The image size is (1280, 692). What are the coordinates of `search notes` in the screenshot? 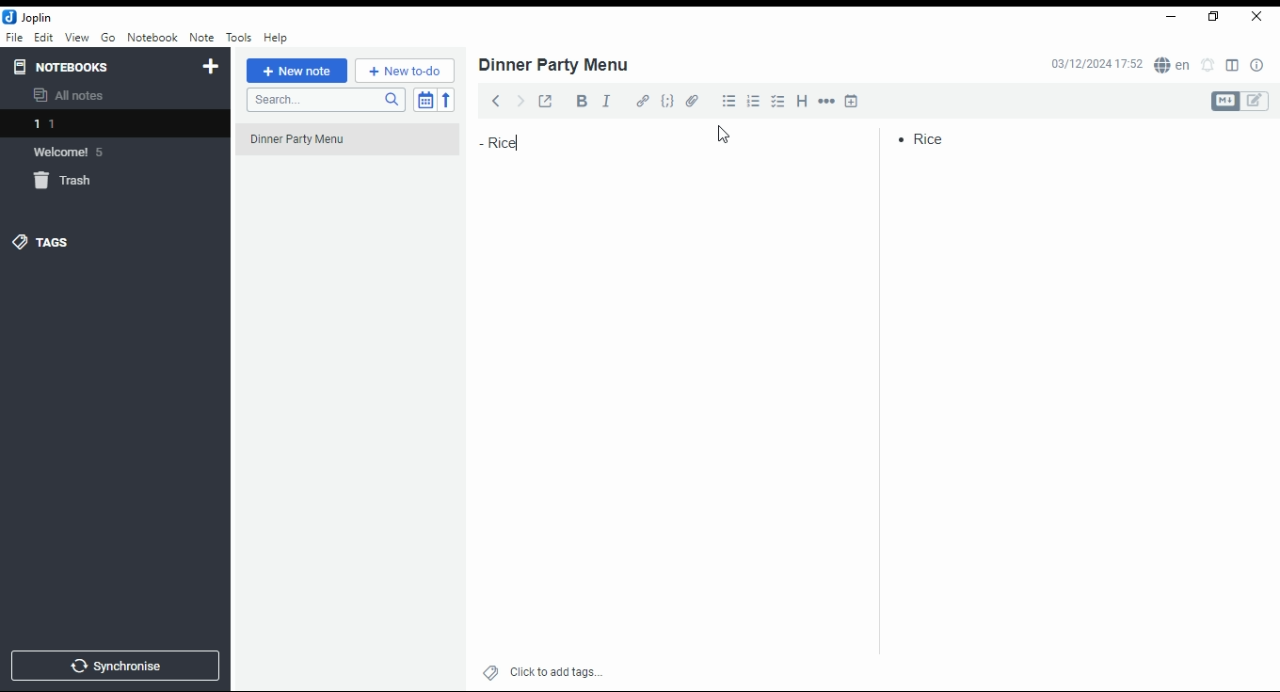 It's located at (324, 101).